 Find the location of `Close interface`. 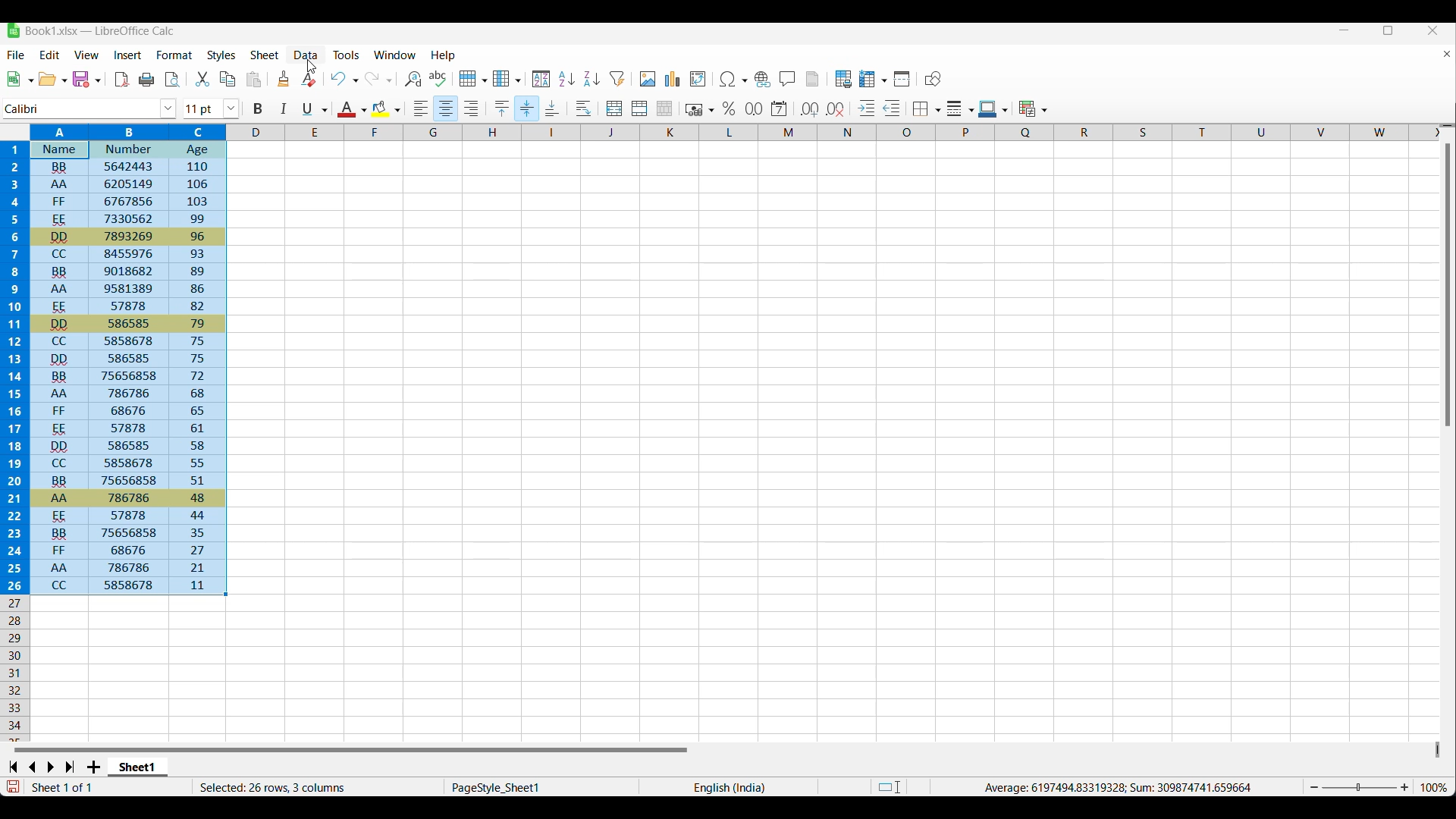

Close interface is located at coordinates (1433, 30).